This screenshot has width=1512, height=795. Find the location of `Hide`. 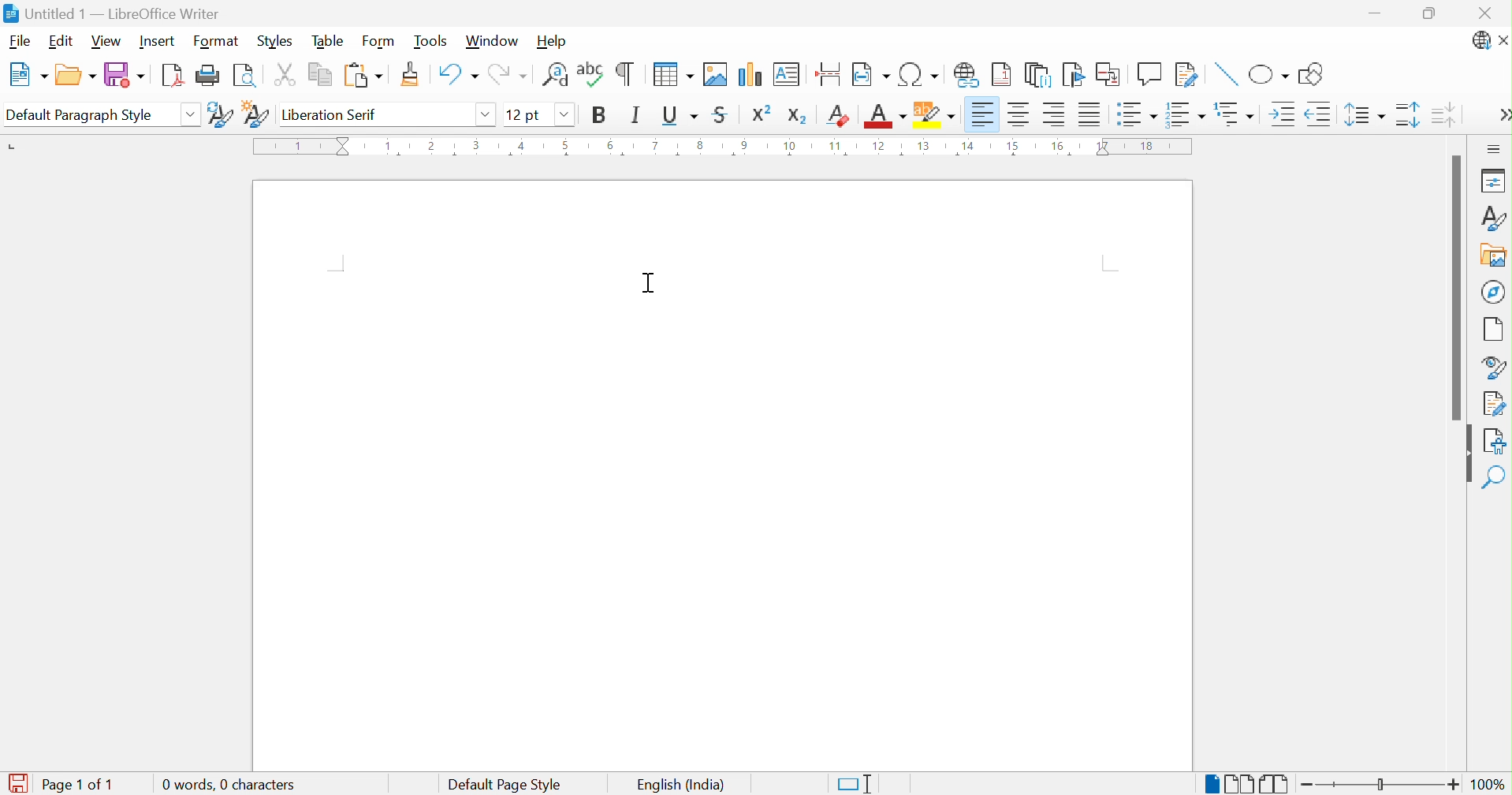

Hide is located at coordinates (1468, 454).